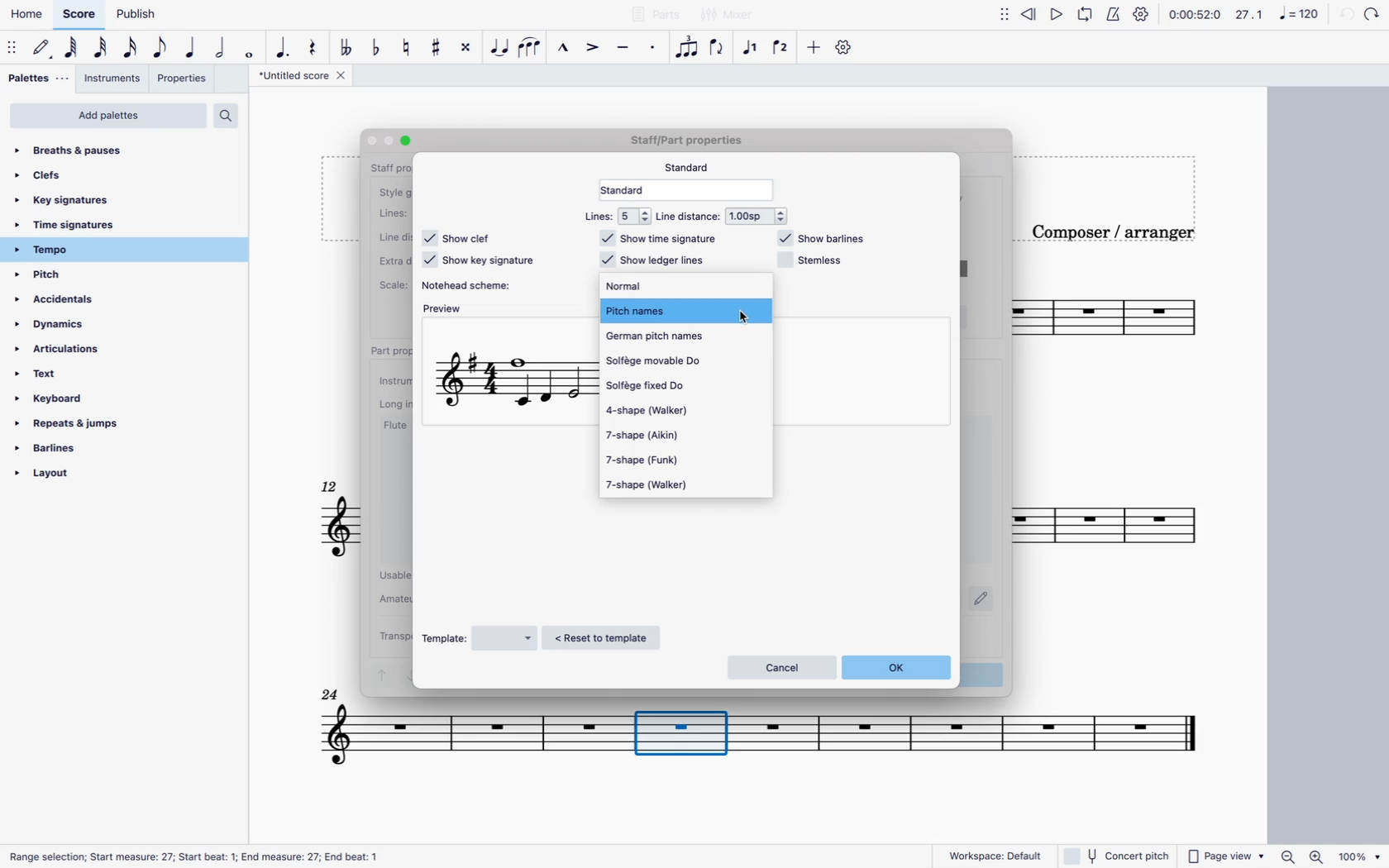 The height and width of the screenshot is (868, 1389). I want to click on show ledger lines, so click(653, 260).